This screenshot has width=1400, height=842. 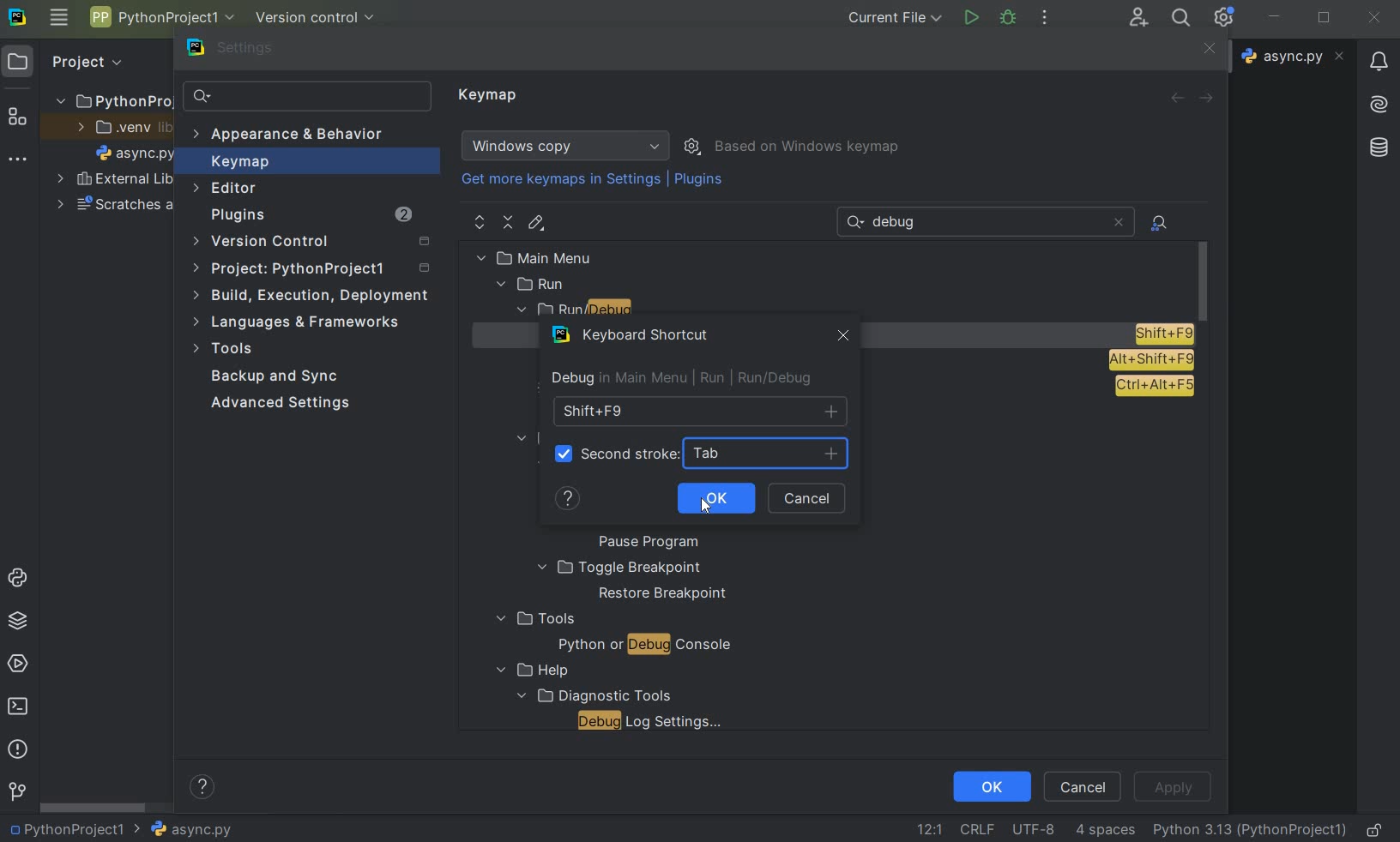 I want to click on line separator, so click(x=976, y=830).